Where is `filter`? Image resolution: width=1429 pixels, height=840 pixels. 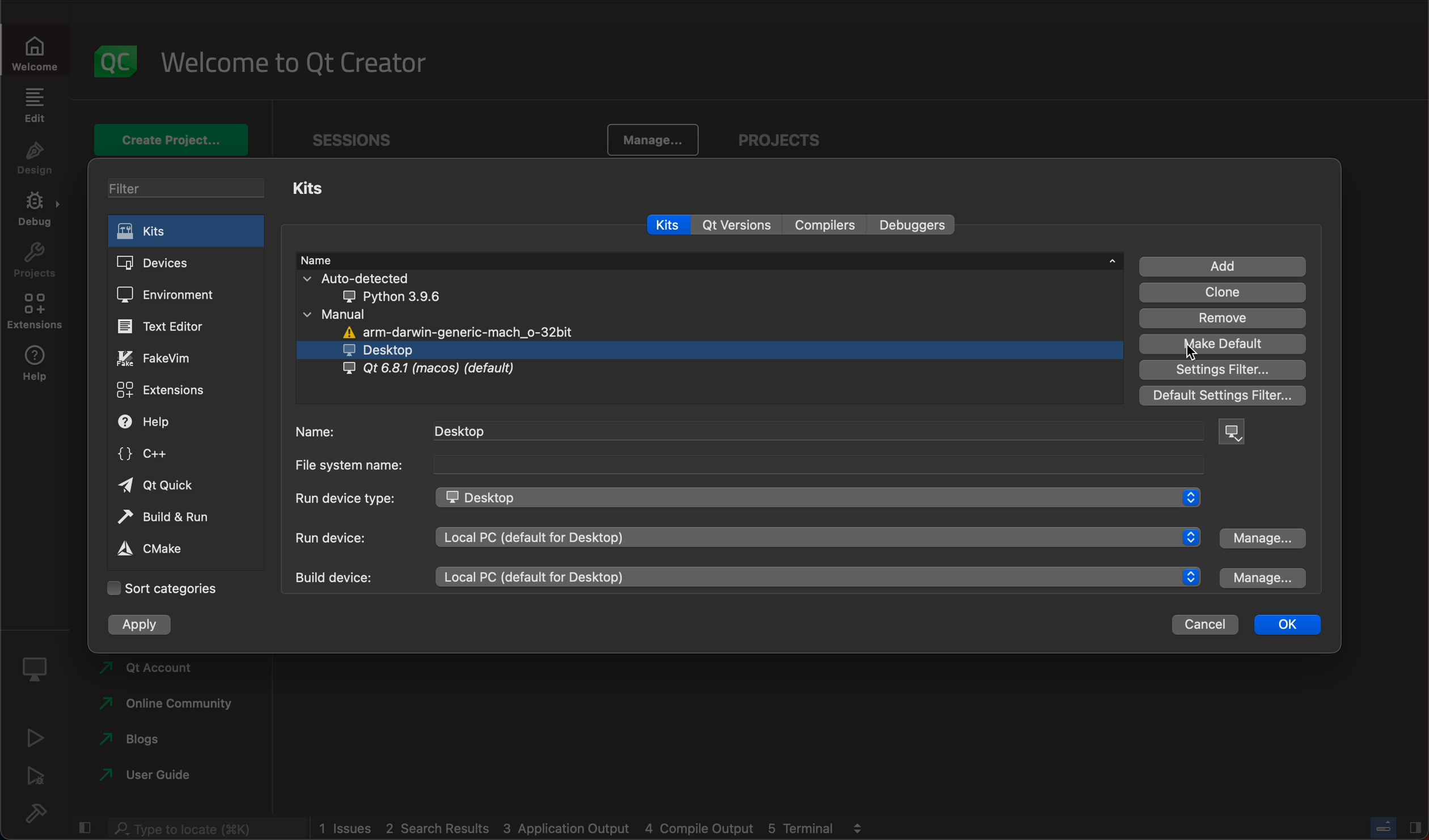 filter is located at coordinates (189, 188).